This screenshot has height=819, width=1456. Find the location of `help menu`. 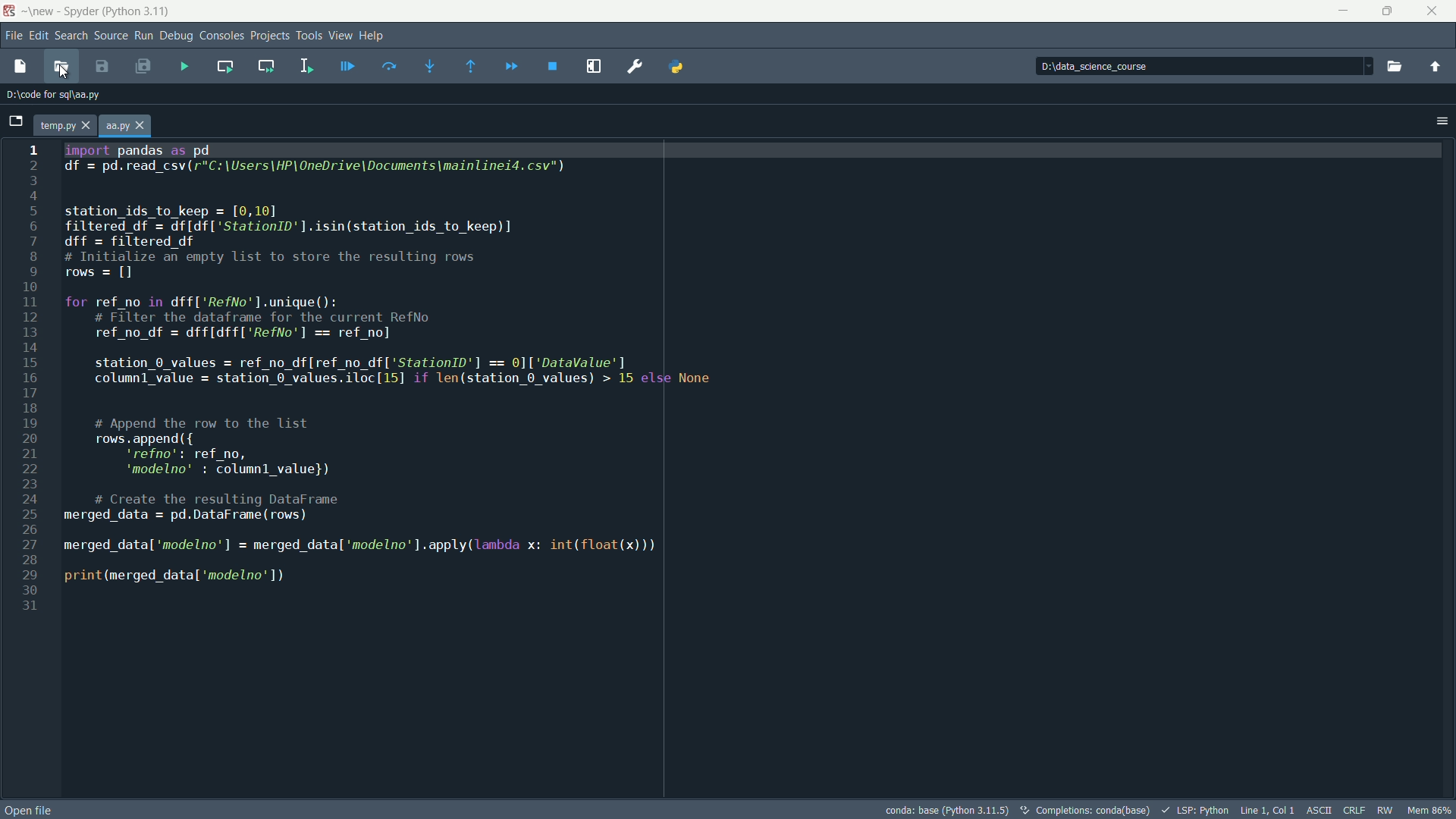

help menu is located at coordinates (379, 36).